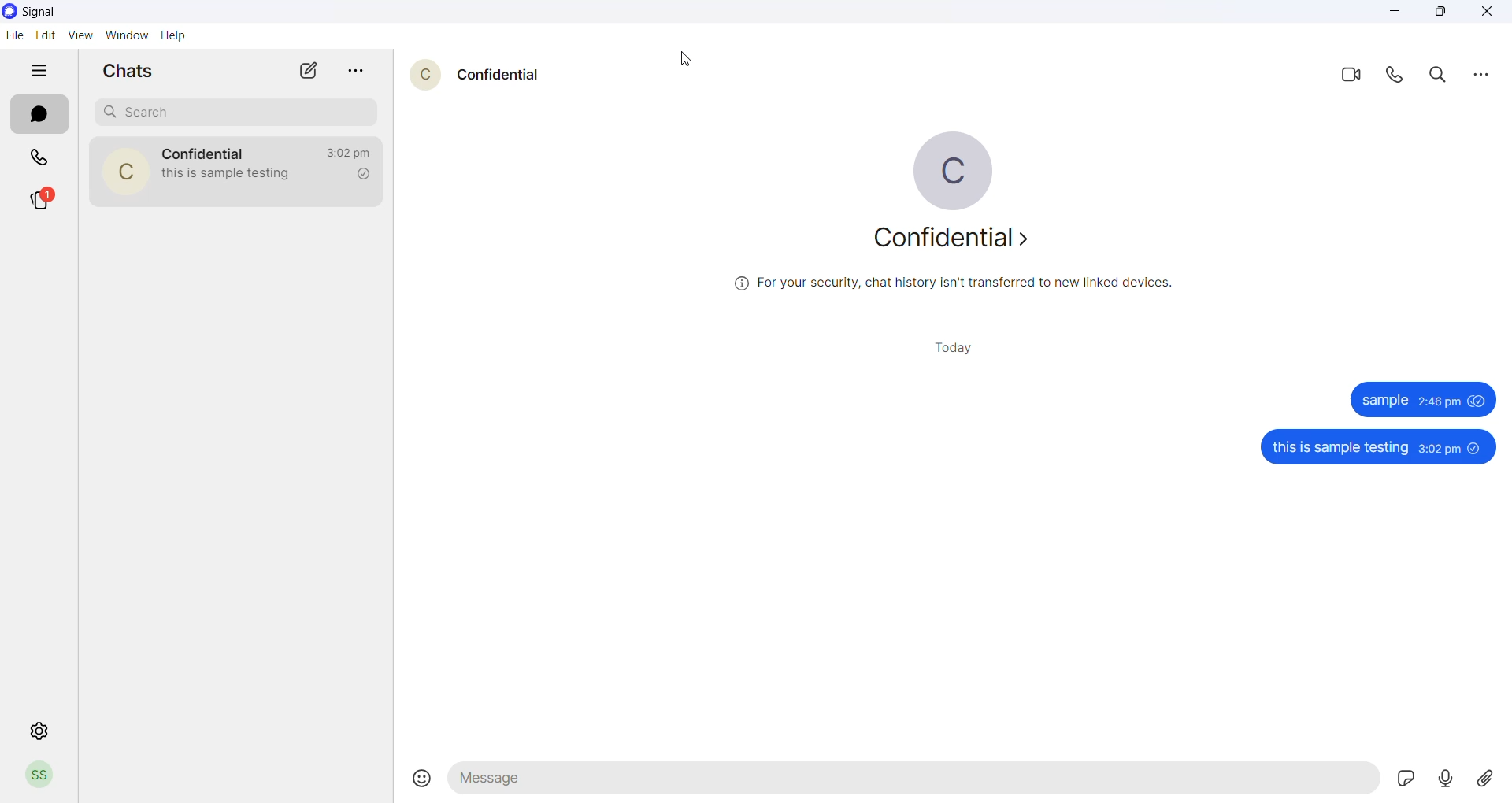 The width and height of the screenshot is (1512, 803). Describe the element at coordinates (37, 115) in the screenshot. I see `chats` at that location.